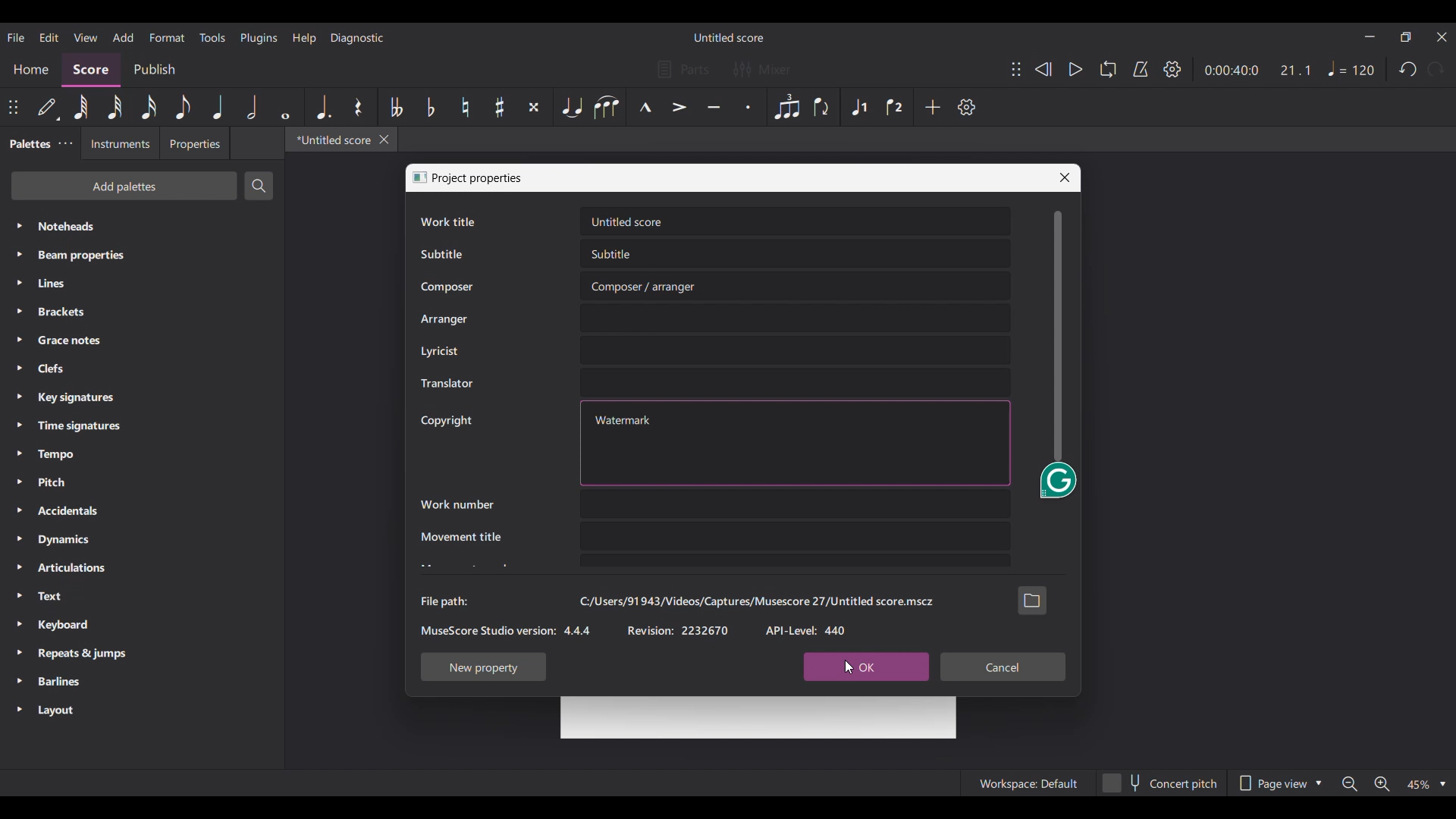 Image resolution: width=1456 pixels, height=819 pixels. What do you see at coordinates (796, 254) in the screenshot?
I see `Text box for Subtitle` at bounding box center [796, 254].